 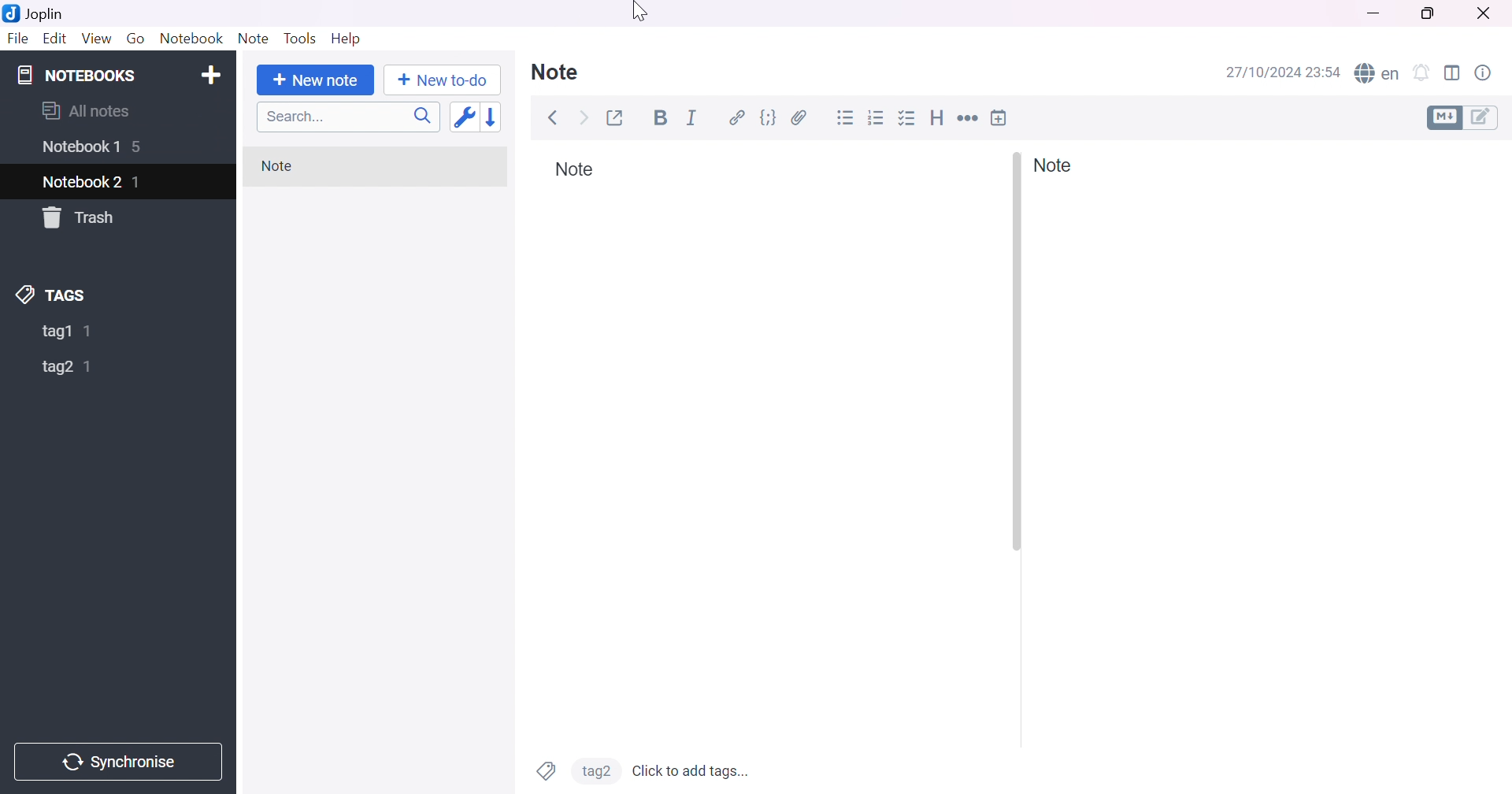 I want to click on tag2, so click(x=595, y=770).